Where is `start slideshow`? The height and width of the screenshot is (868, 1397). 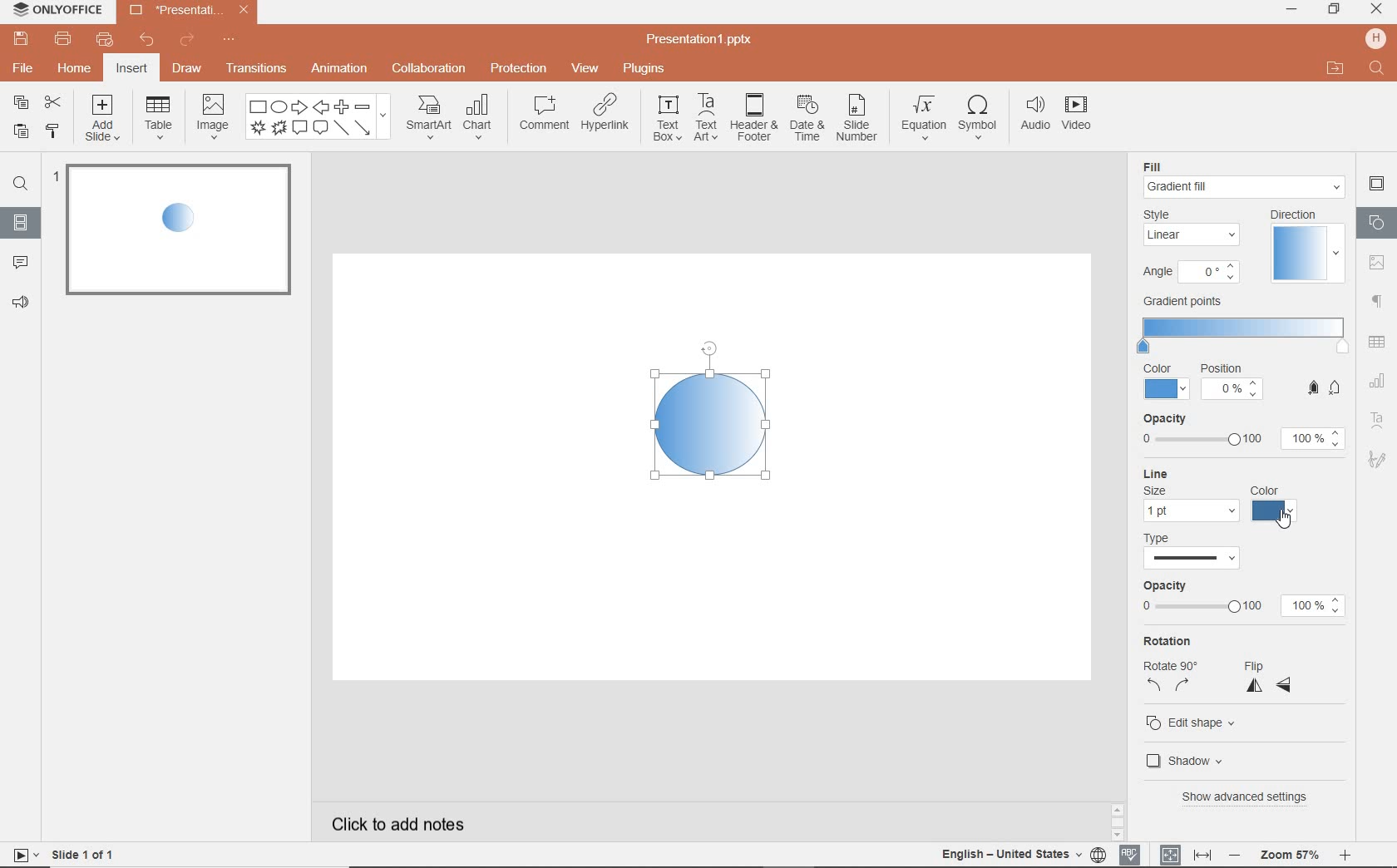
start slideshow is located at coordinates (22, 855).